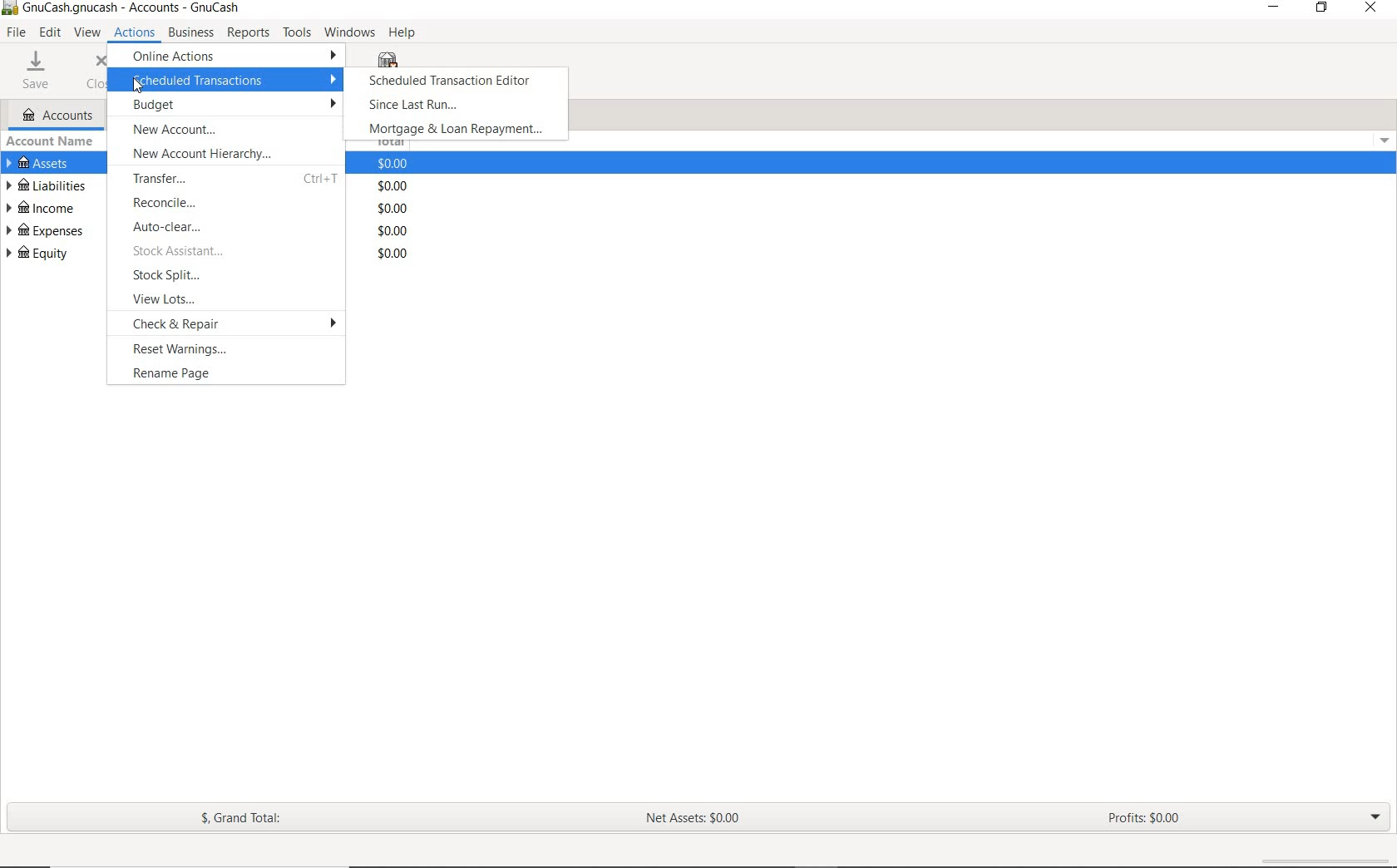 The width and height of the screenshot is (1397, 868). Describe the element at coordinates (233, 253) in the screenshot. I see `STOCK ASSISTANT` at that location.